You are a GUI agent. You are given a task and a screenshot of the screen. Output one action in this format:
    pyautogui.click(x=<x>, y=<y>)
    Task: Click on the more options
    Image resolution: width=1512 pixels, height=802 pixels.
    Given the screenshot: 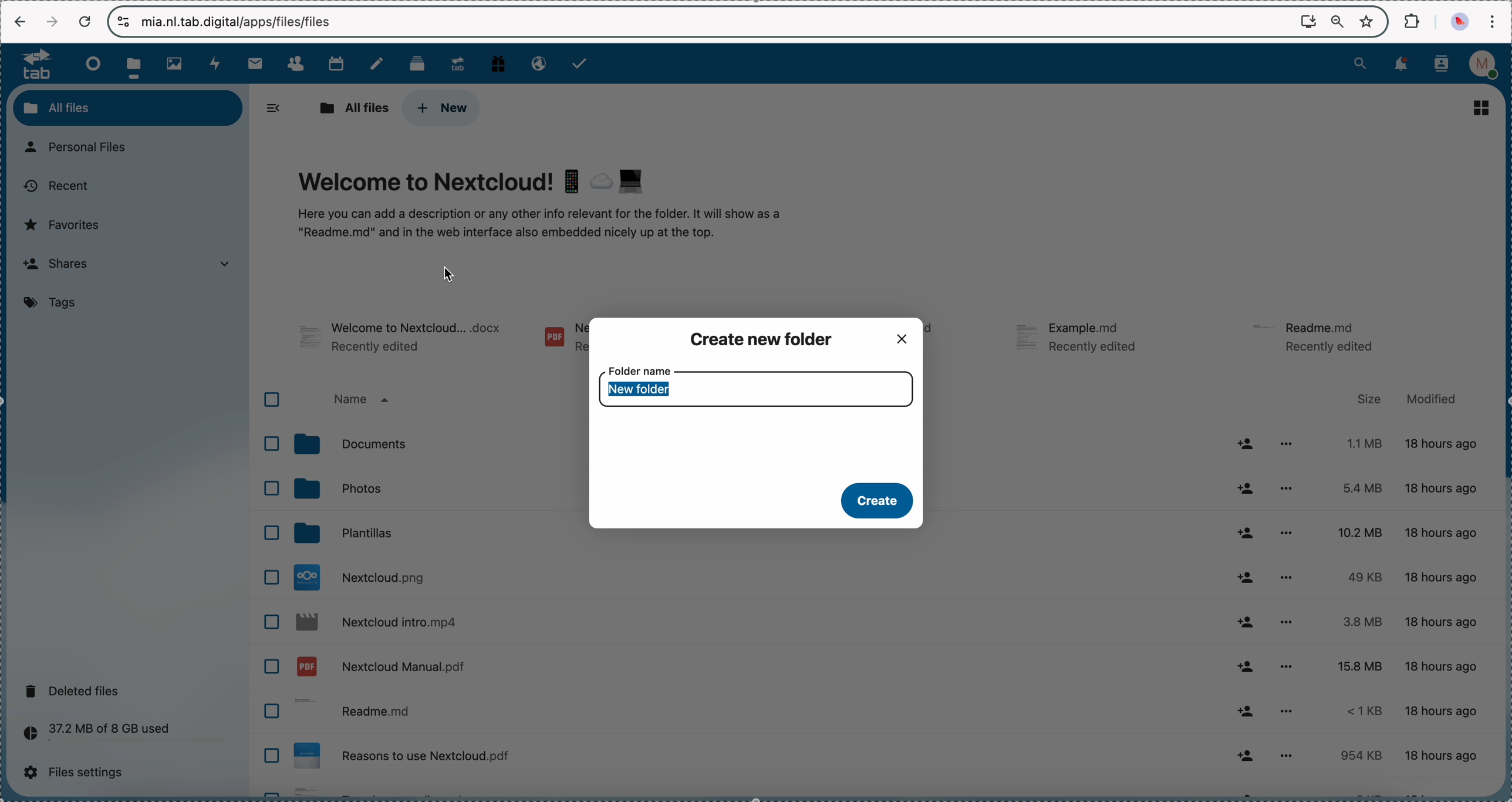 What is the action you would take?
    pyautogui.click(x=1284, y=712)
    